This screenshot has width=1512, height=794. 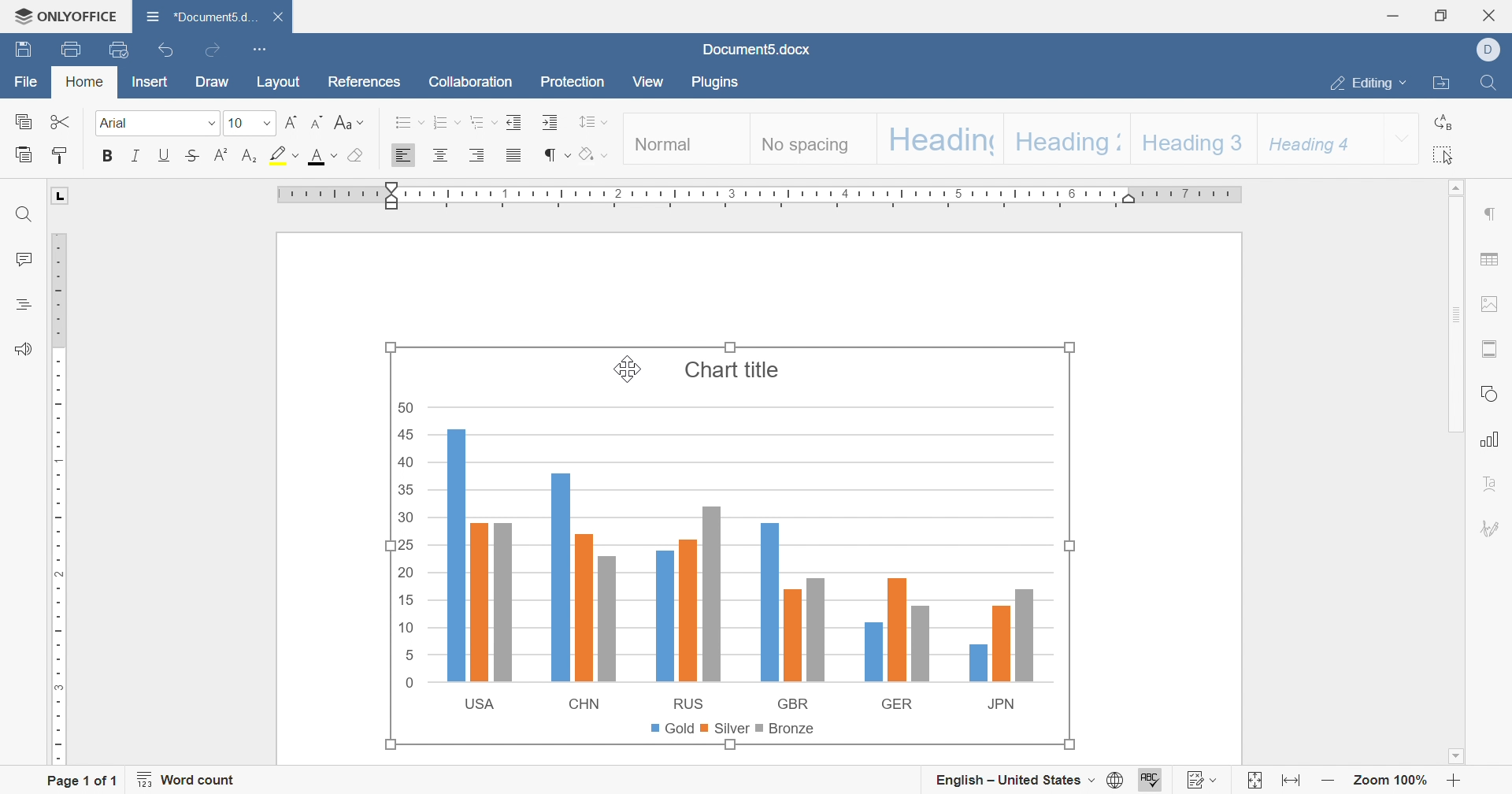 I want to click on feedback & support, so click(x=24, y=350).